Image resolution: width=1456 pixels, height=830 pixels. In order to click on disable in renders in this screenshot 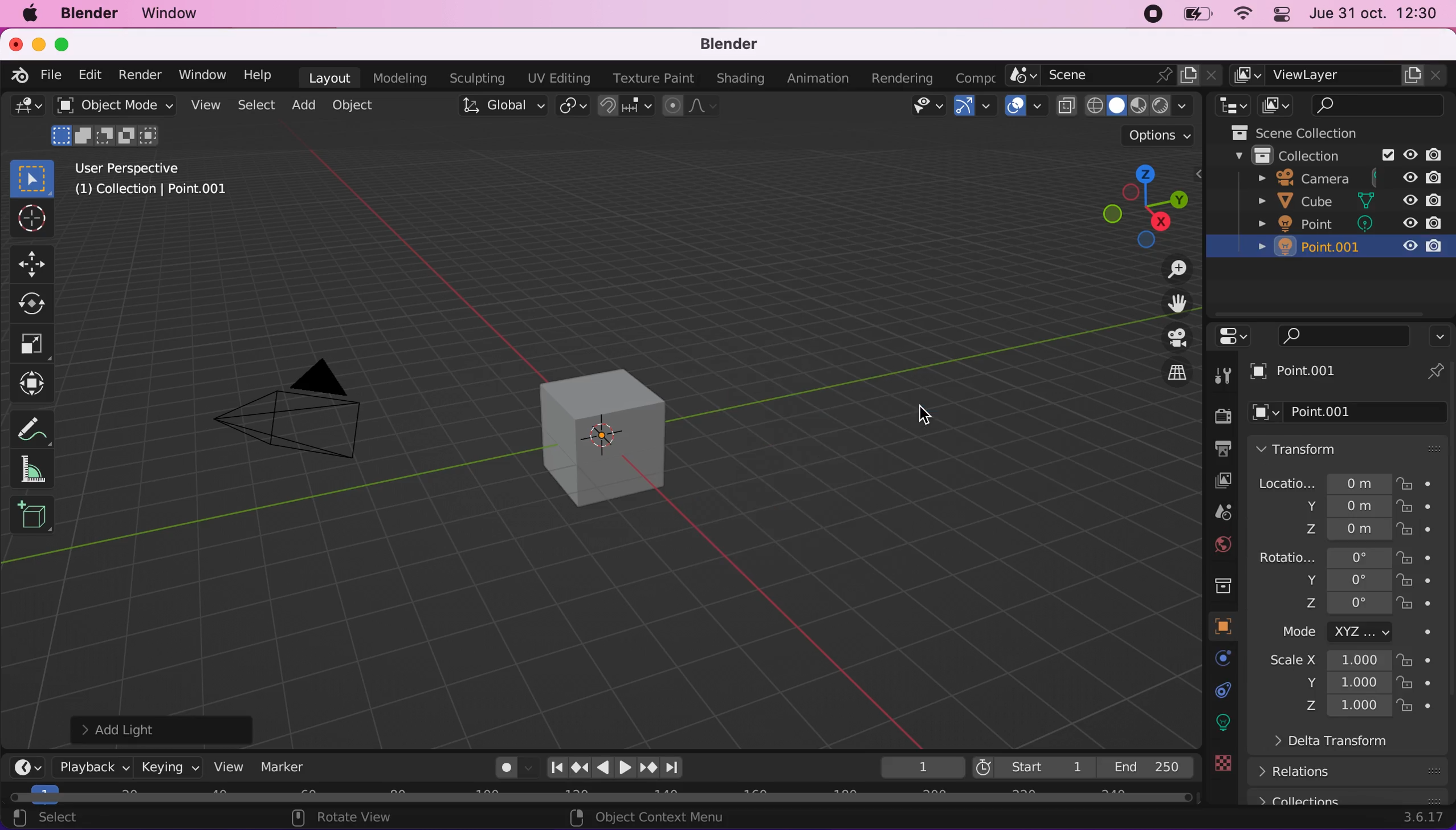, I will do `click(1435, 179)`.